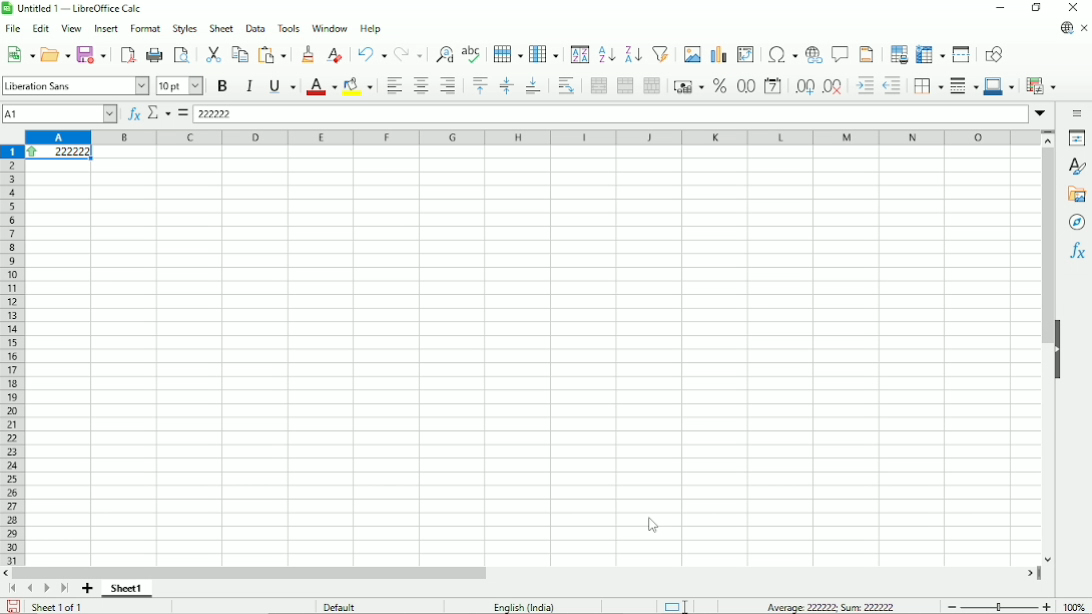 The height and width of the screenshot is (614, 1092). Describe the element at coordinates (1039, 86) in the screenshot. I see `Conditional` at that location.